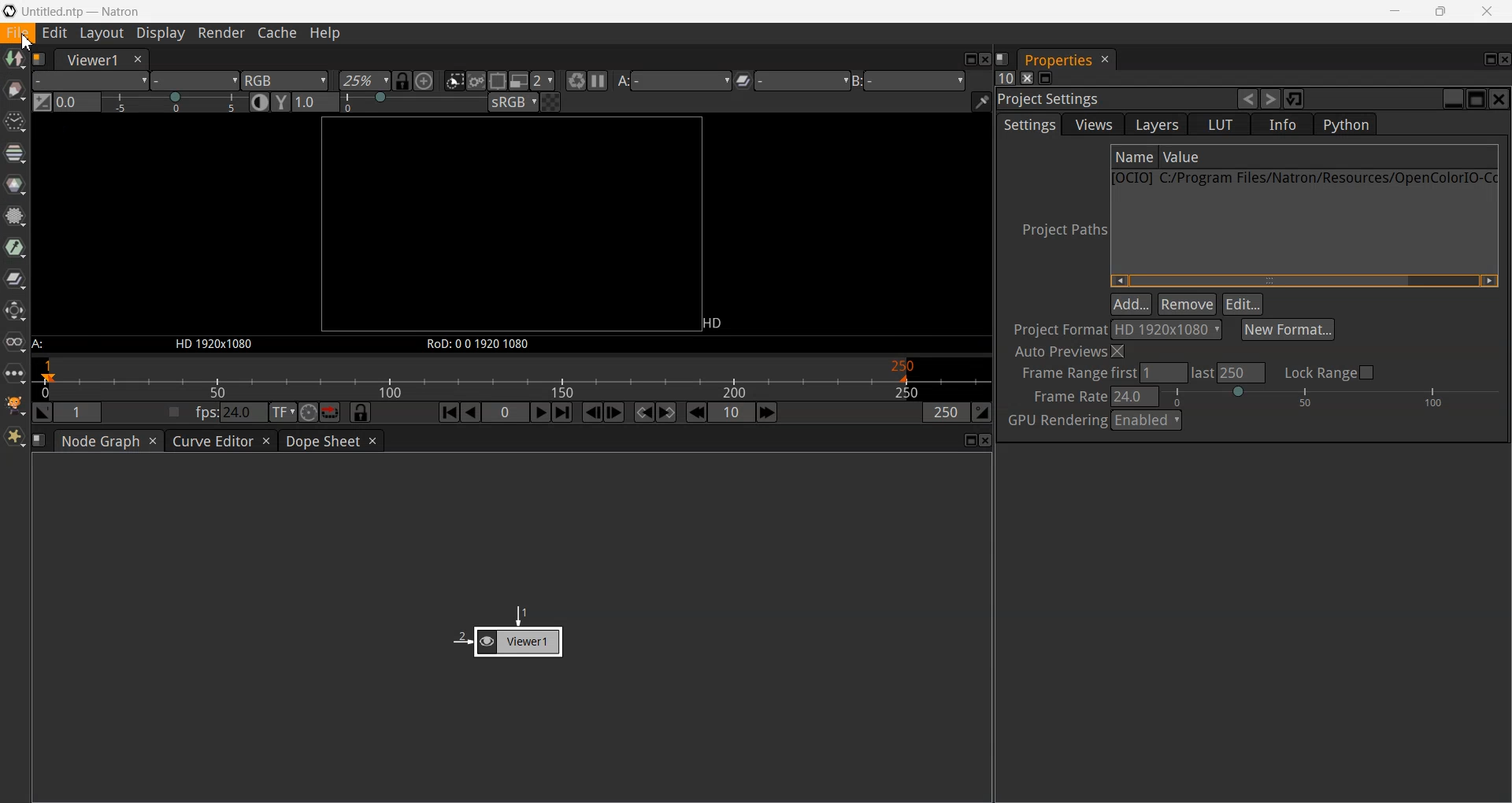 This screenshot has width=1512, height=803. I want to click on viewer toolbar, so click(195, 81).